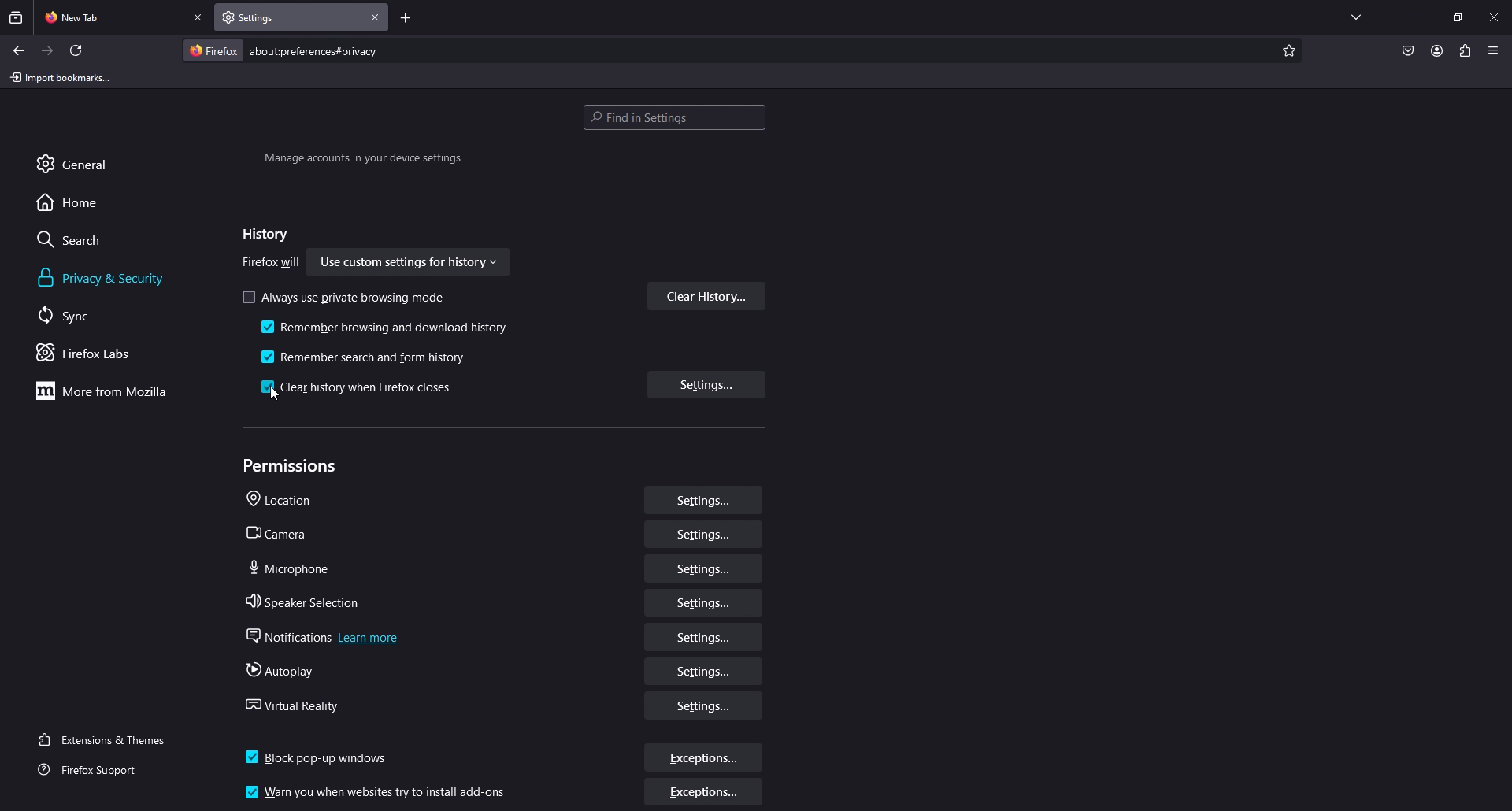 This screenshot has height=811, width=1512. Describe the element at coordinates (274, 395) in the screenshot. I see `cursor` at that location.